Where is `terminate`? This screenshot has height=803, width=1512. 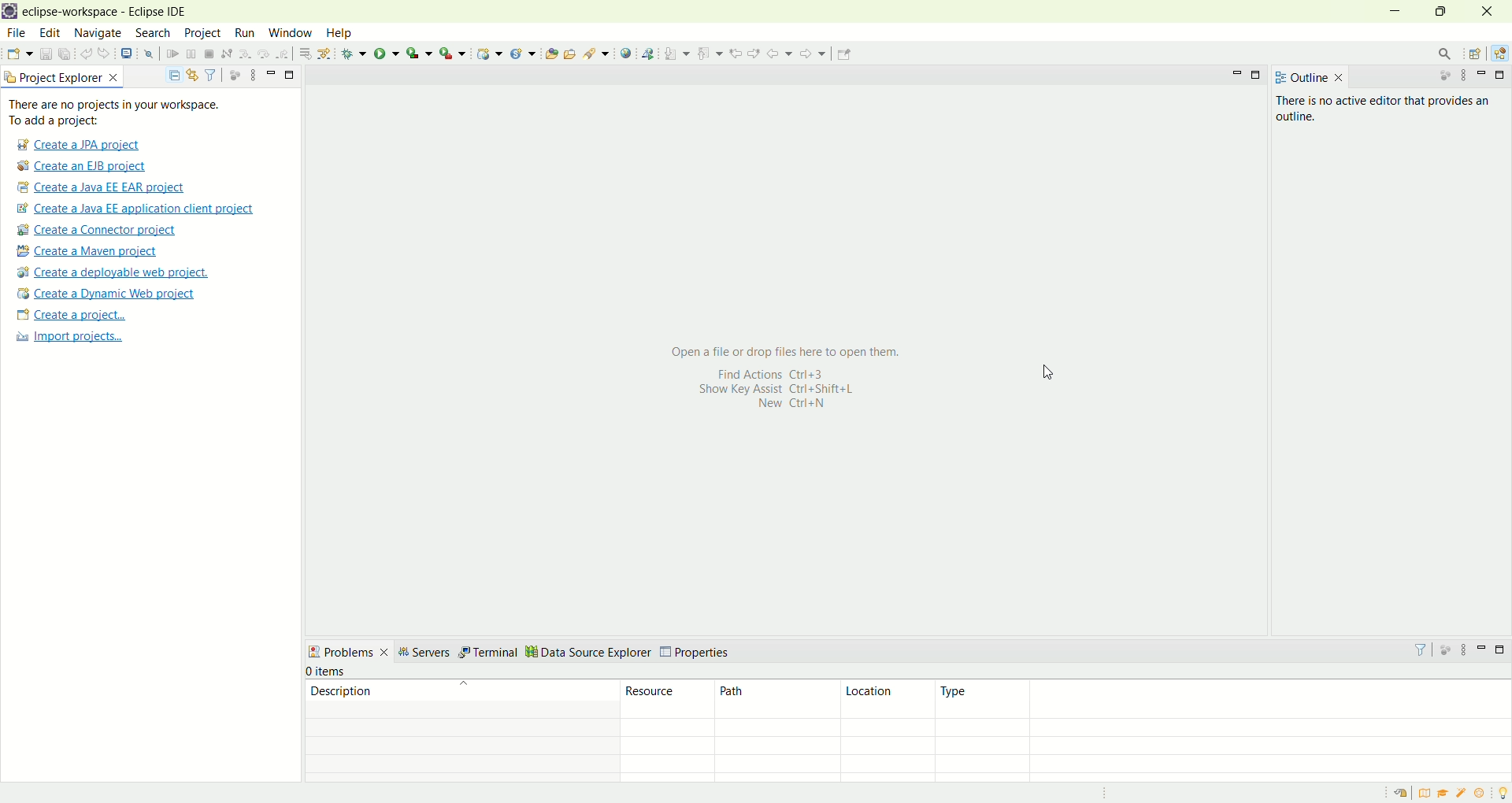
terminate is located at coordinates (210, 55).